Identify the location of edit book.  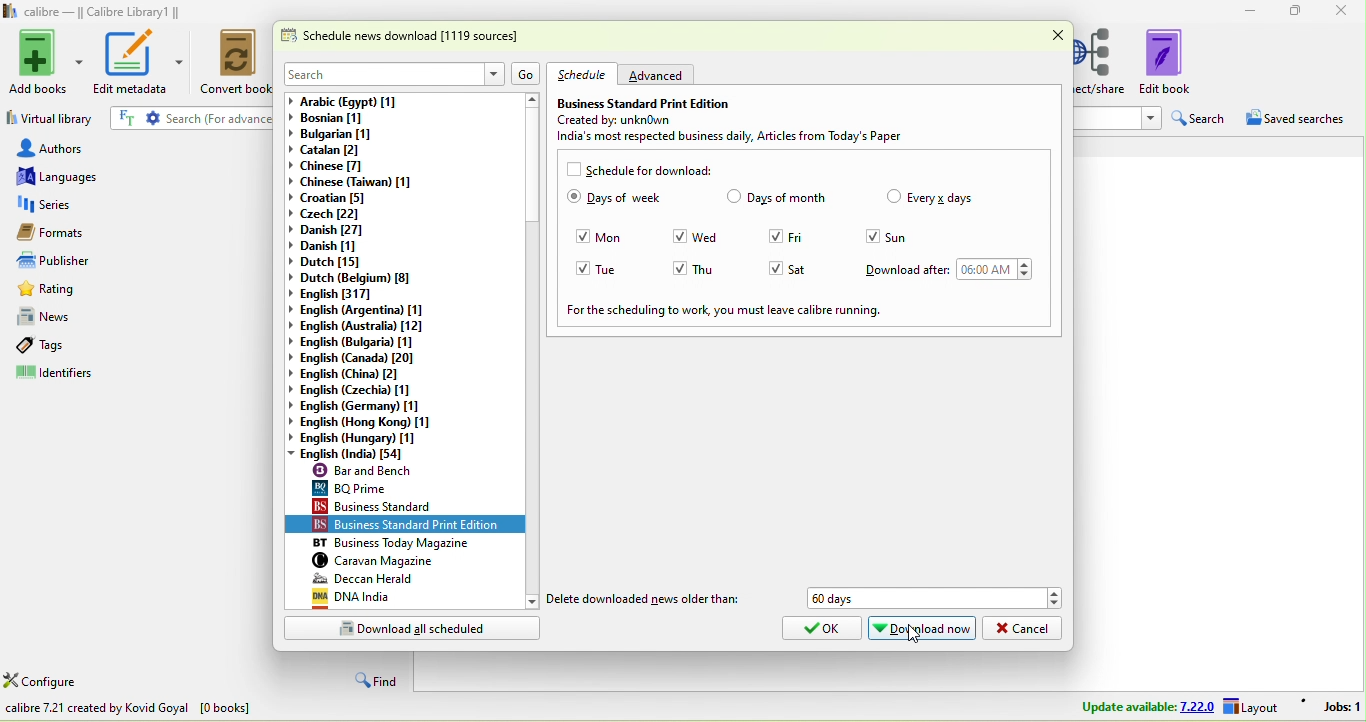
(1178, 63).